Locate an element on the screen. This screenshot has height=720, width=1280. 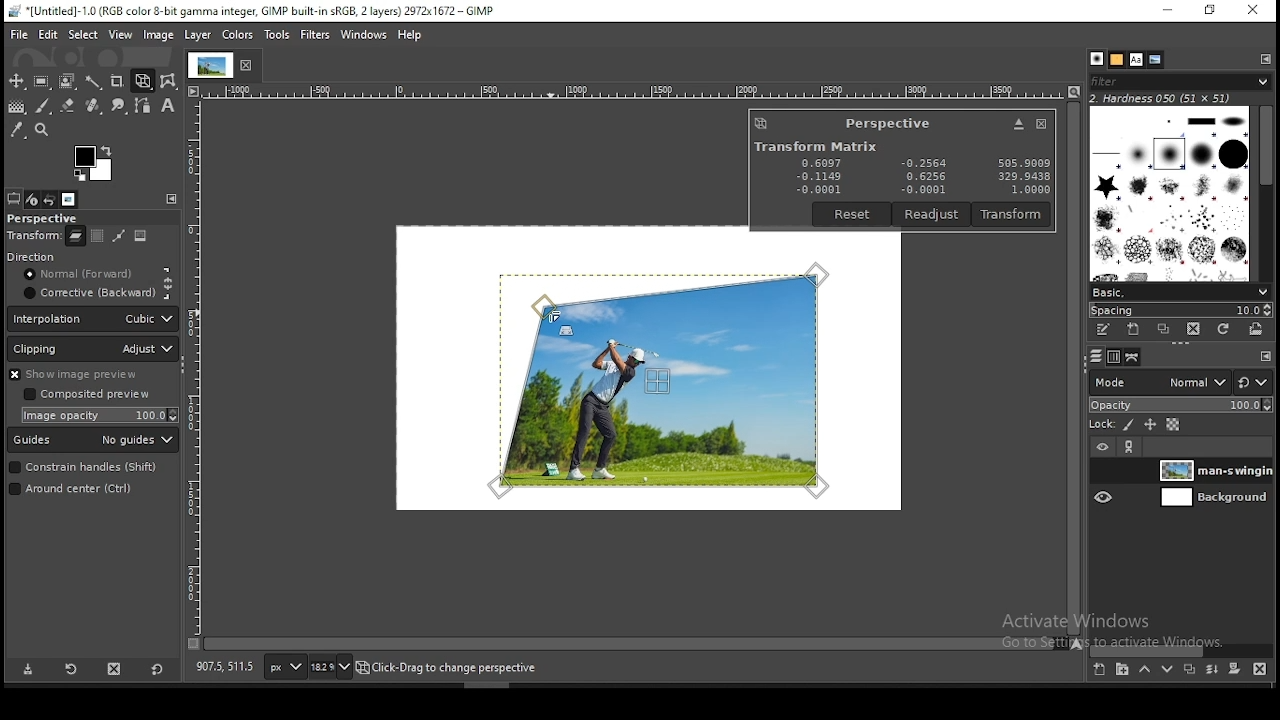
open brush as image is located at coordinates (1256, 329).